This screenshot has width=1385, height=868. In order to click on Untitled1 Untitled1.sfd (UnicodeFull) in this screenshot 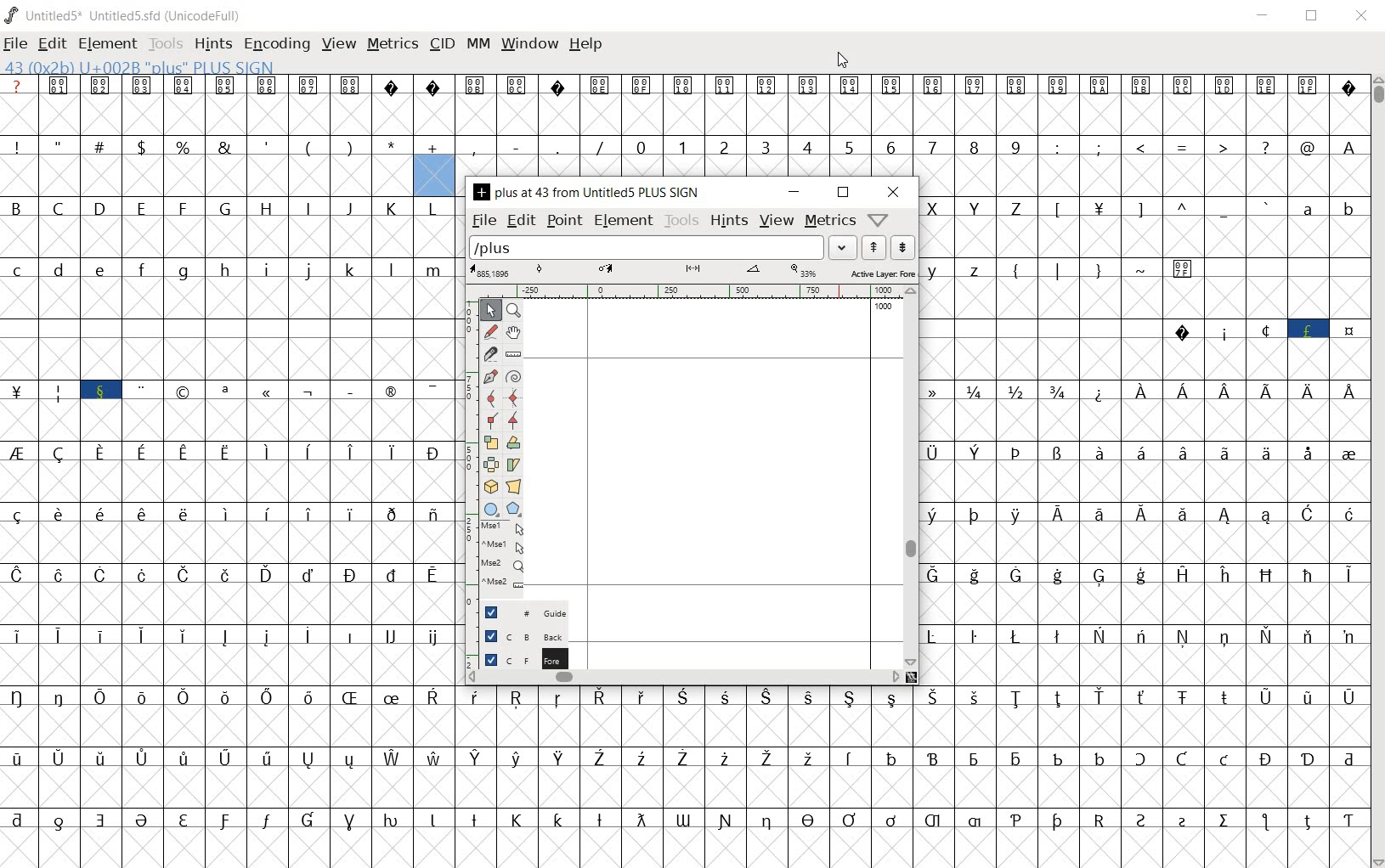, I will do `click(127, 15)`.